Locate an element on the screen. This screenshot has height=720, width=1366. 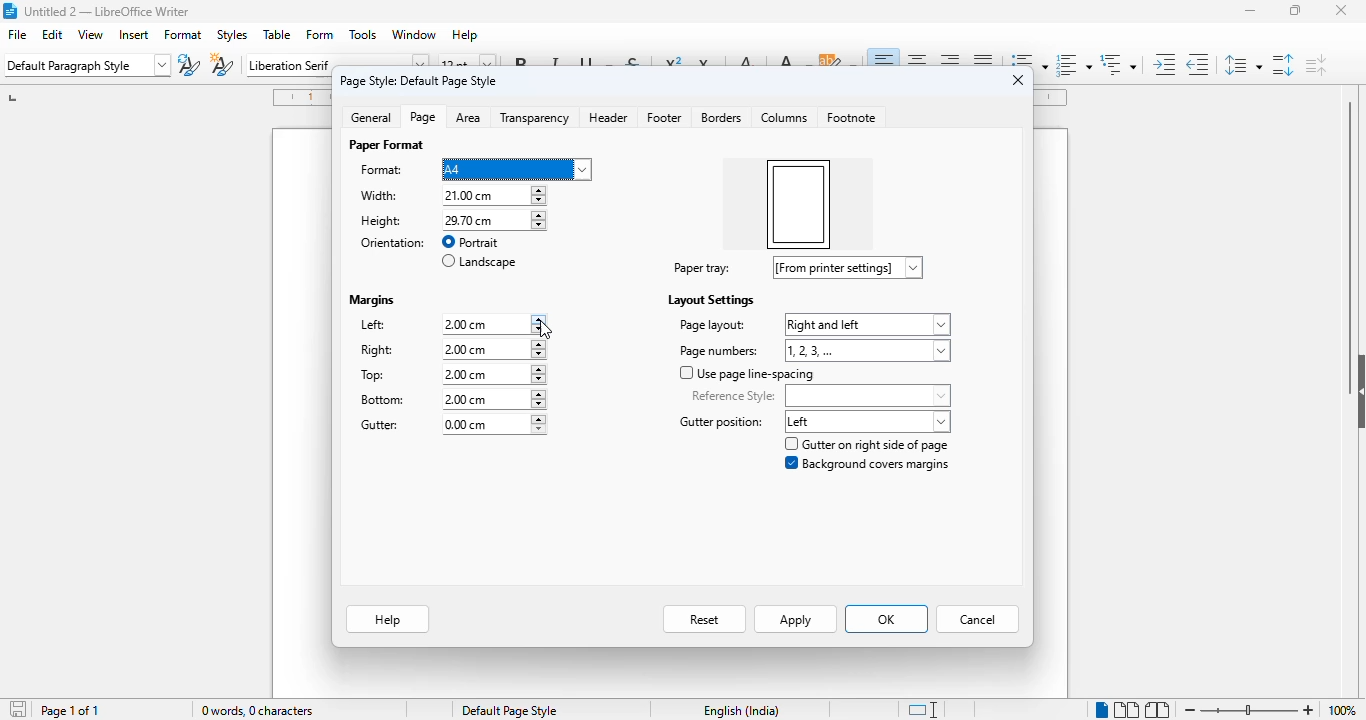
gutter:  is located at coordinates (381, 425).